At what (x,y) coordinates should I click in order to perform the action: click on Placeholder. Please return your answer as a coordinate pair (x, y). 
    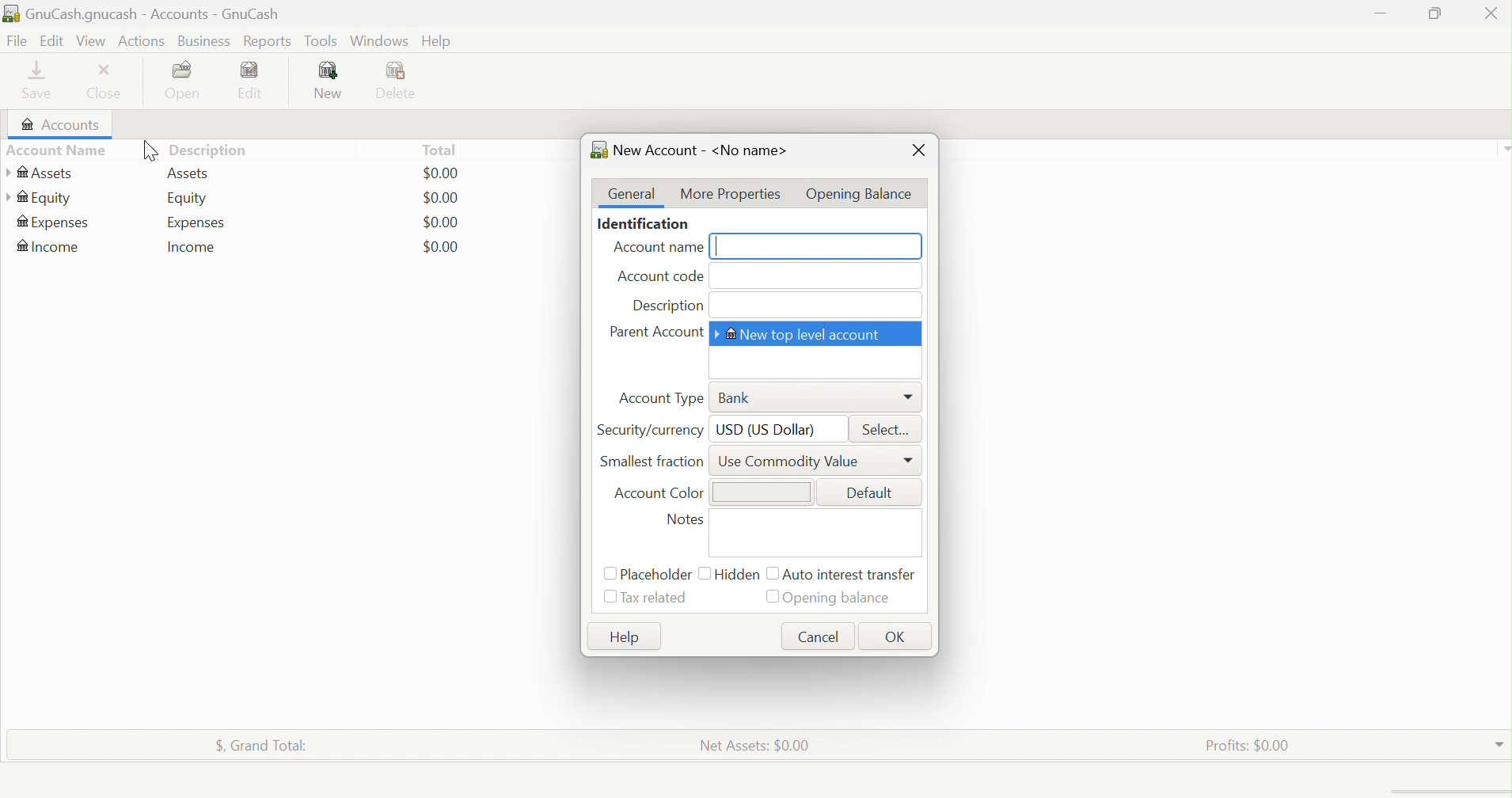
    Looking at the image, I should click on (657, 575).